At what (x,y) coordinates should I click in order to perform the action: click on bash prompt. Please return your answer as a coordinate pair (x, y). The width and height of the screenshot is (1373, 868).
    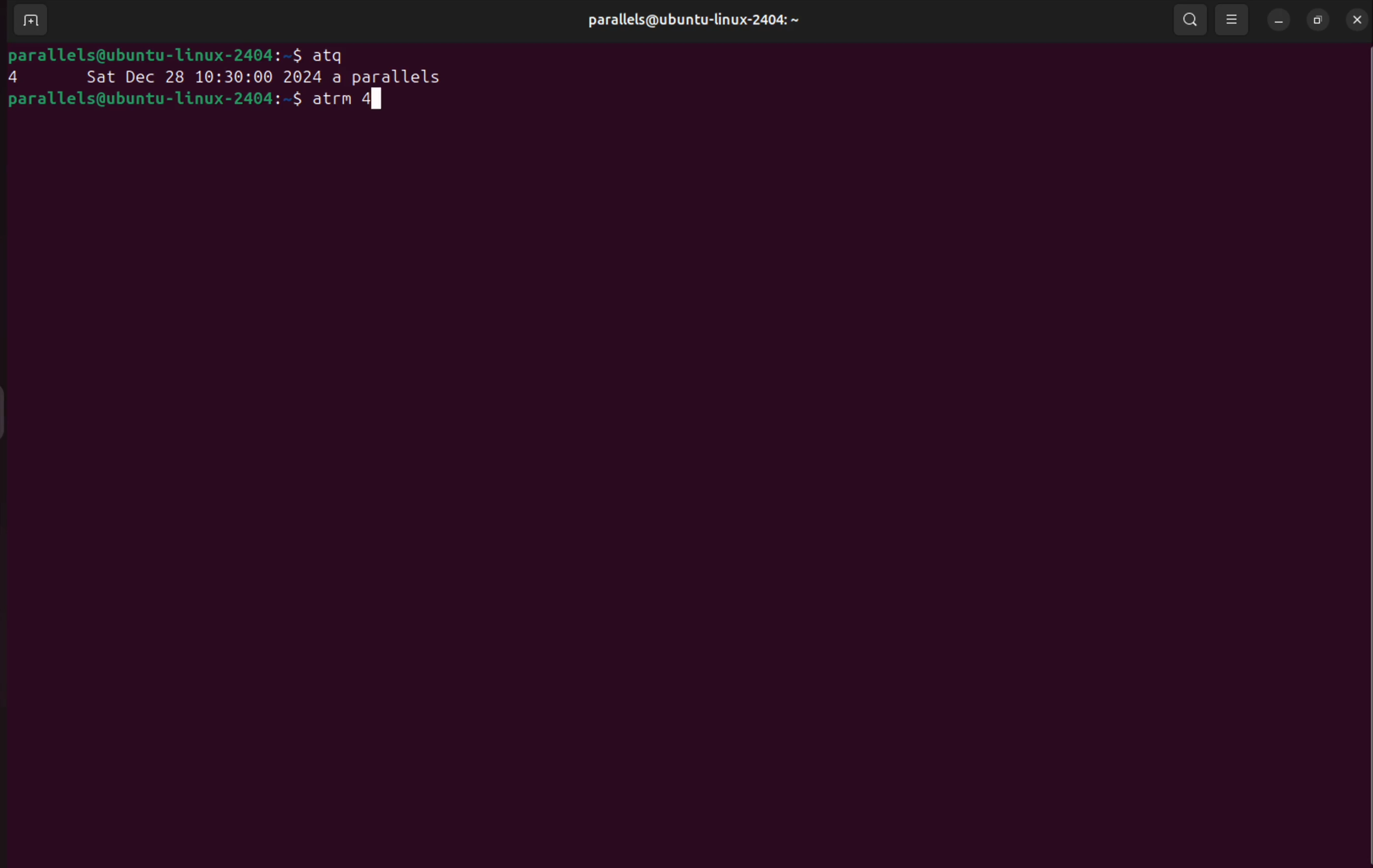
    Looking at the image, I should click on (177, 56).